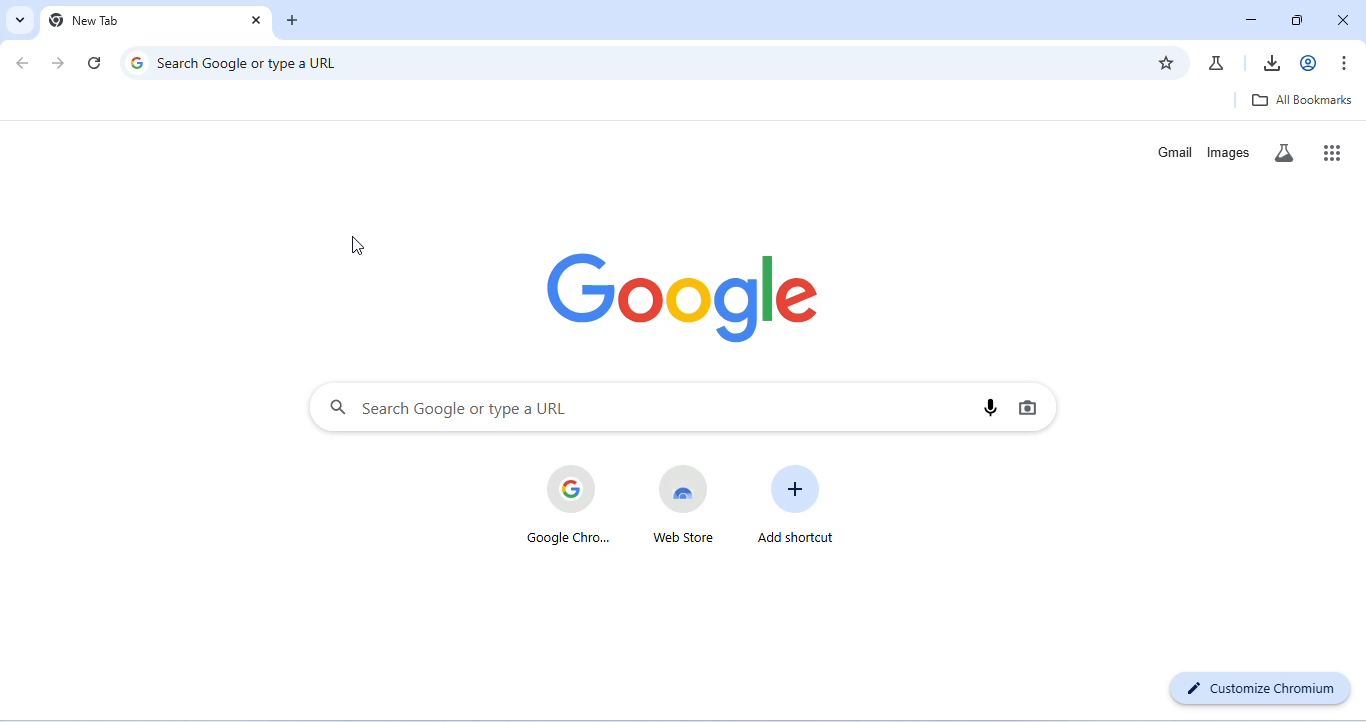 This screenshot has height=722, width=1366. What do you see at coordinates (1261, 688) in the screenshot?
I see `customize chromium` at bounding box center [1261, 688].